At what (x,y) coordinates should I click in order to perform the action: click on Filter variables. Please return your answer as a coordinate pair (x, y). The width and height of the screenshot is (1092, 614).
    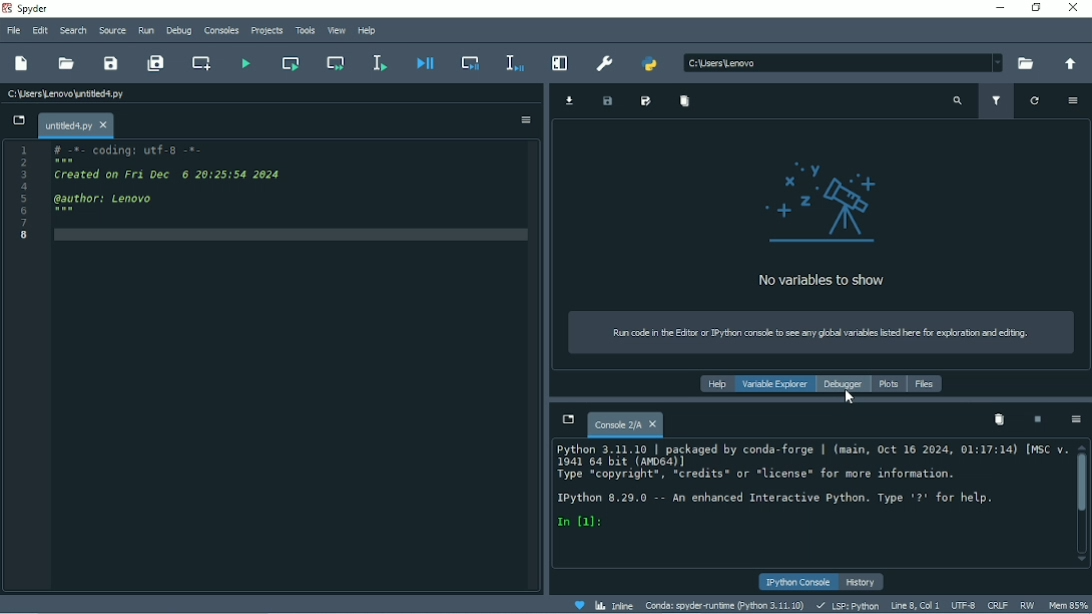
    Looking at the image, I should click on (997, 100).